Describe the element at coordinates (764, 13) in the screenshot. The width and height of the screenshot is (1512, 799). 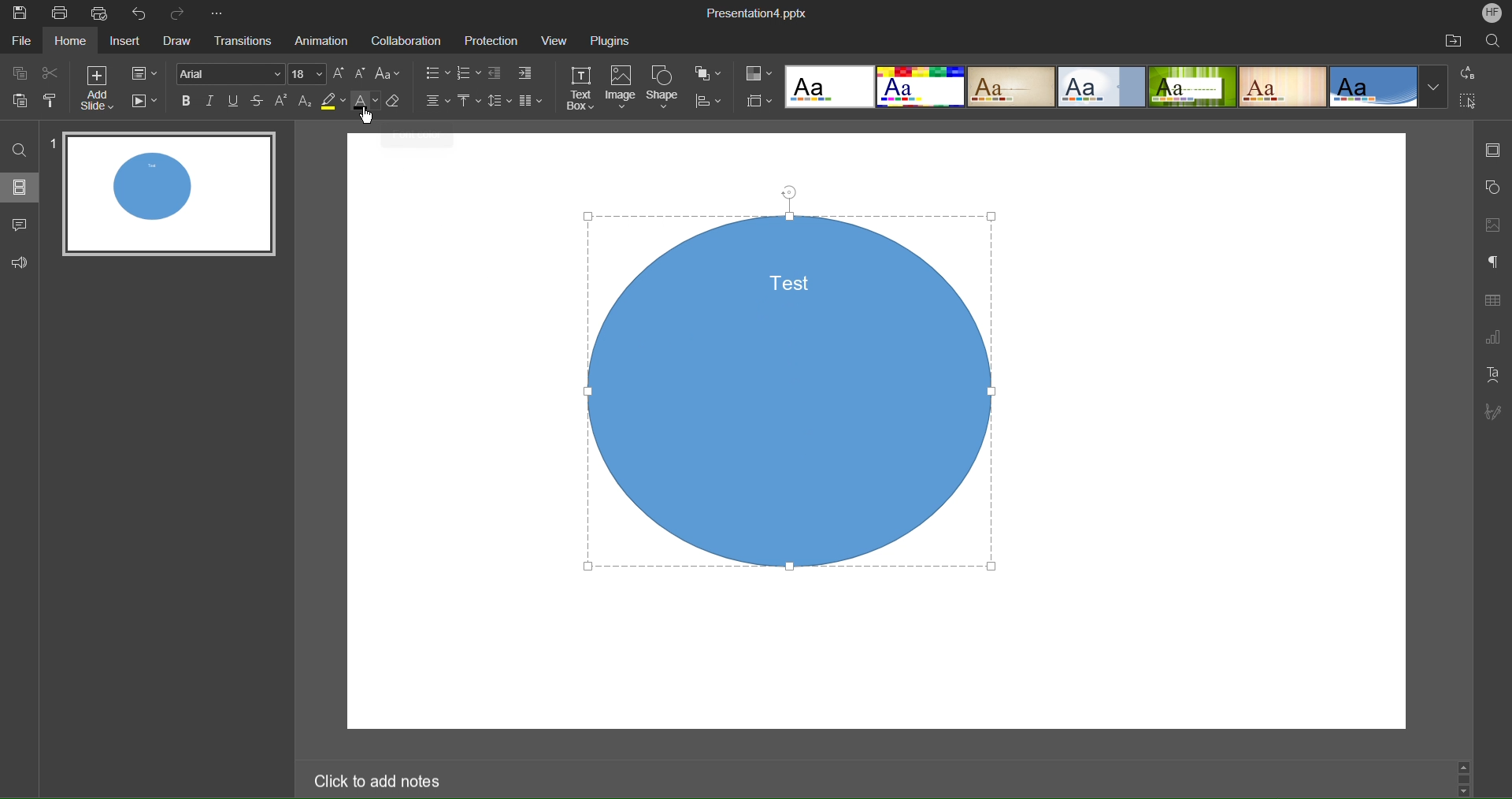
I see `Presentation Title` at that location.